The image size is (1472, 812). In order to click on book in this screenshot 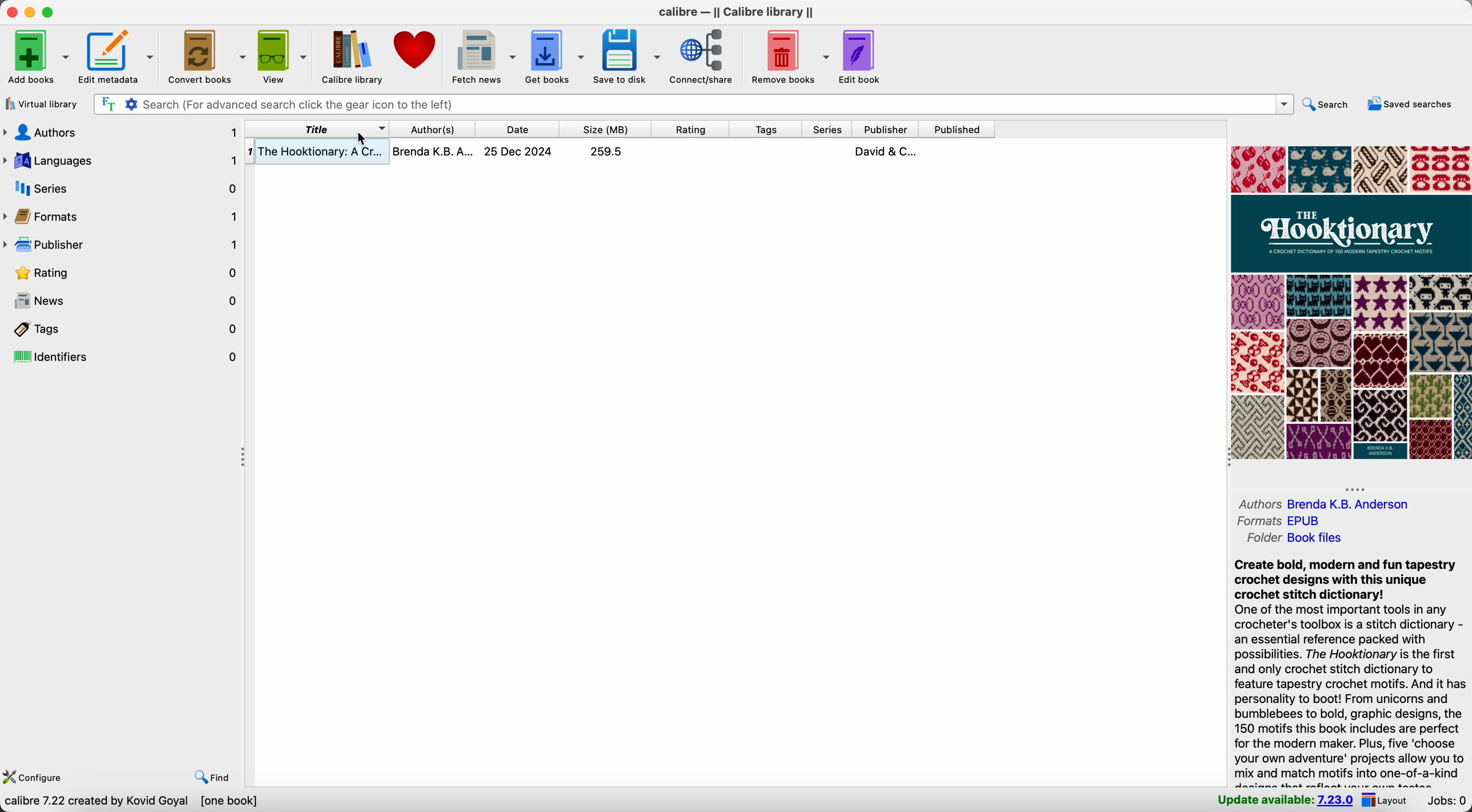, I will do `click(620, 154)`.